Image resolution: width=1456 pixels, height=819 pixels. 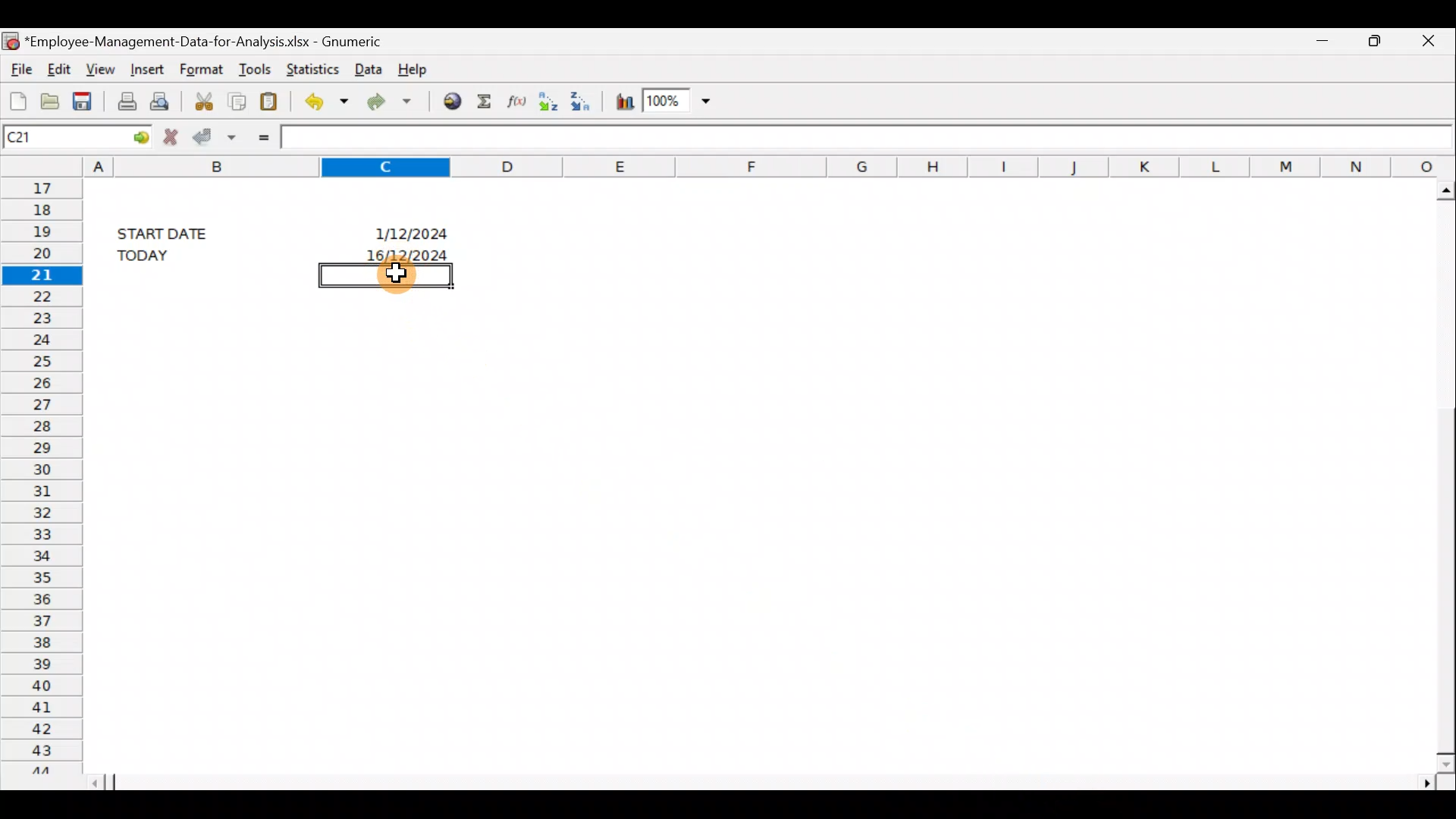 I want to click on TODAY, so click(x=168, y=255).